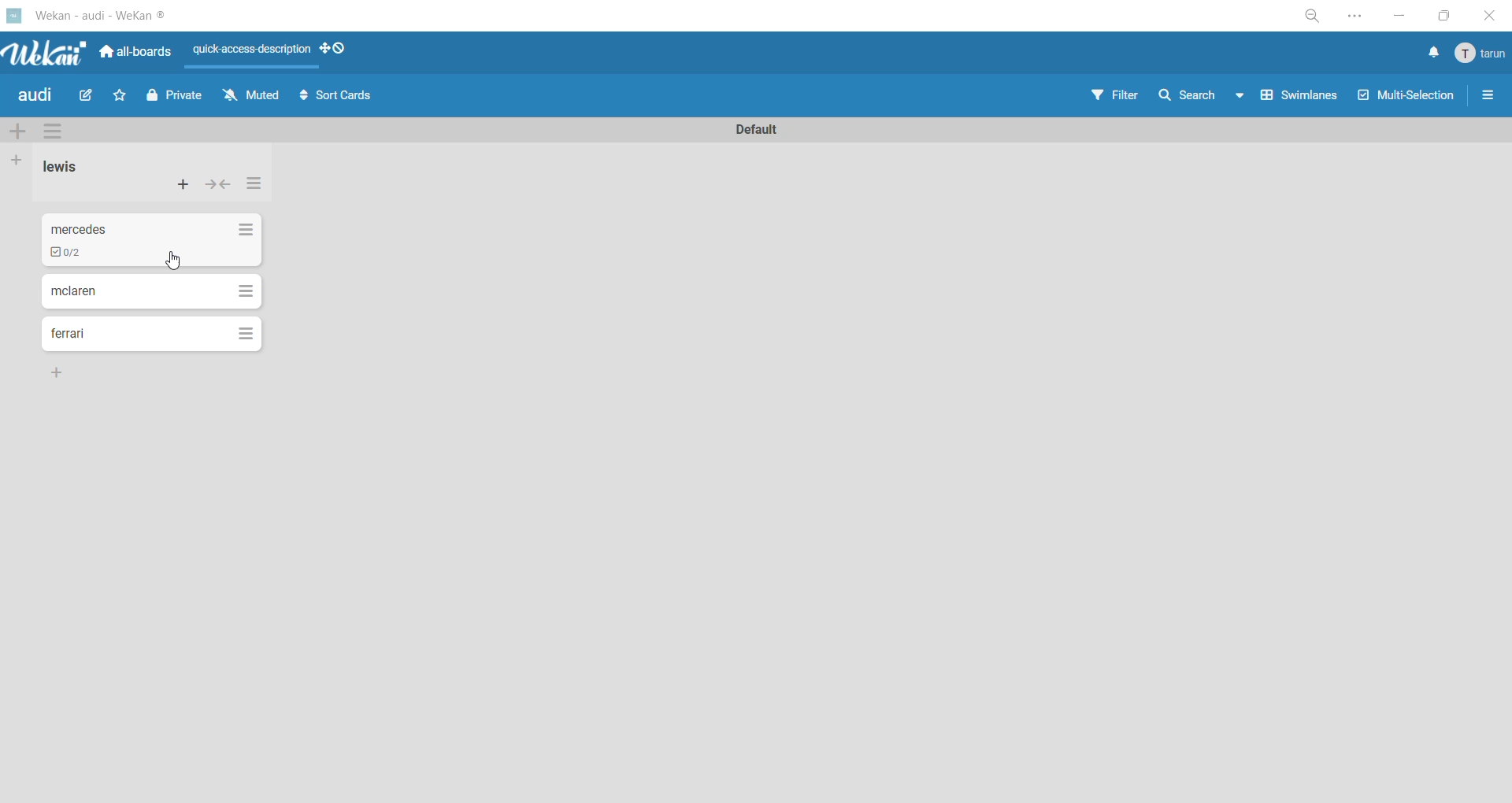 The image size is (1512, 803). Describe the element at coordinates (1427, 56) in the screenshot. I see `notifications` at that location.